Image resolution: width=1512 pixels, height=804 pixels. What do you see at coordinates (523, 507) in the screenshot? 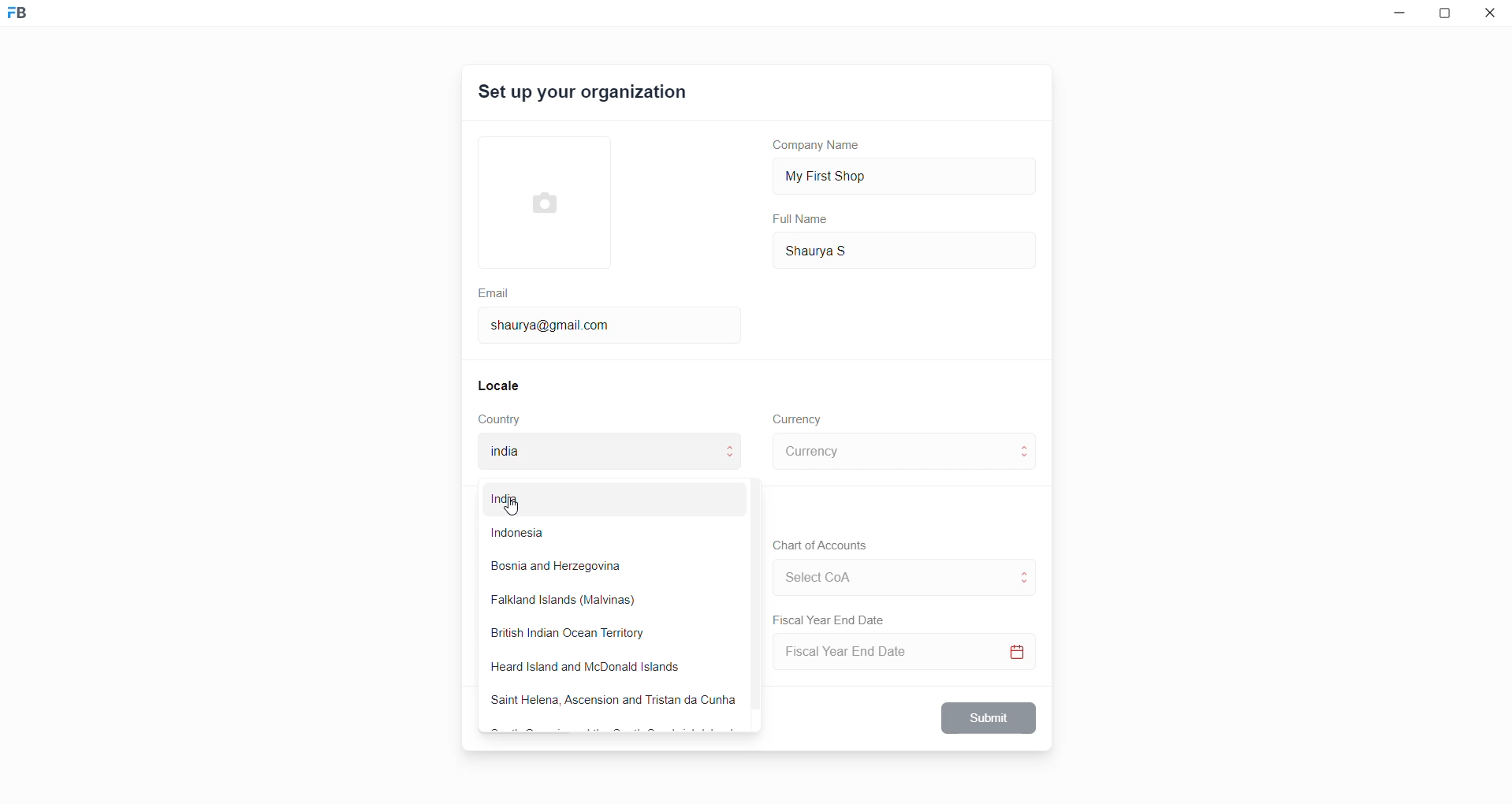
I see `cursor` at bounding box center [523, 507].